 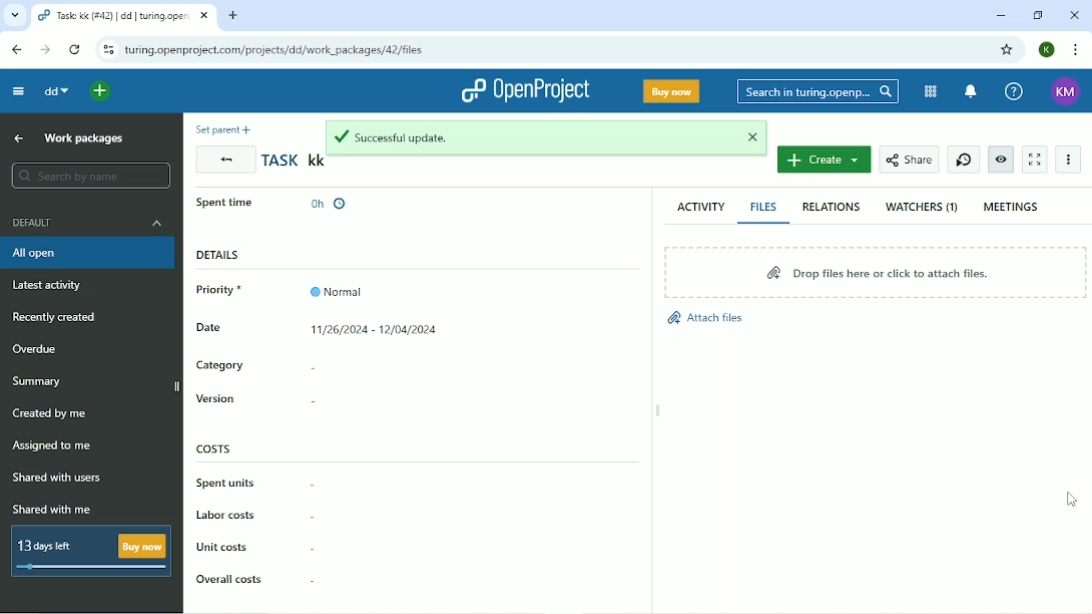 What do you see at coordinates (231, 17) in the screenshot?
I see `New tab` at bounding box center [231, 17].